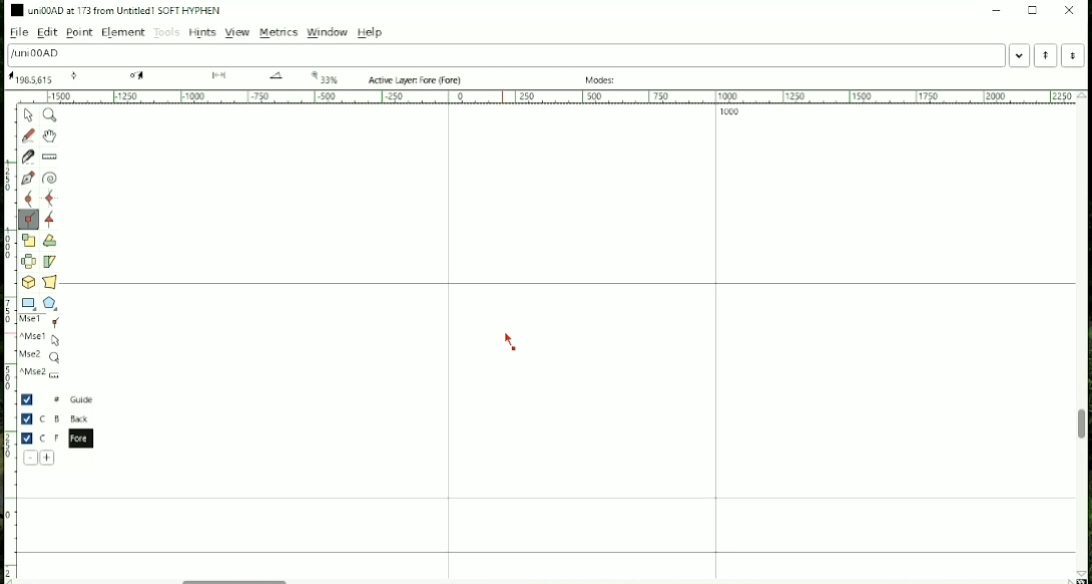  What do you see at coordinates (50, 281) in the screenshot?
I see `Perform a perspective transformation on the selection` at bounding box center [50, 281].